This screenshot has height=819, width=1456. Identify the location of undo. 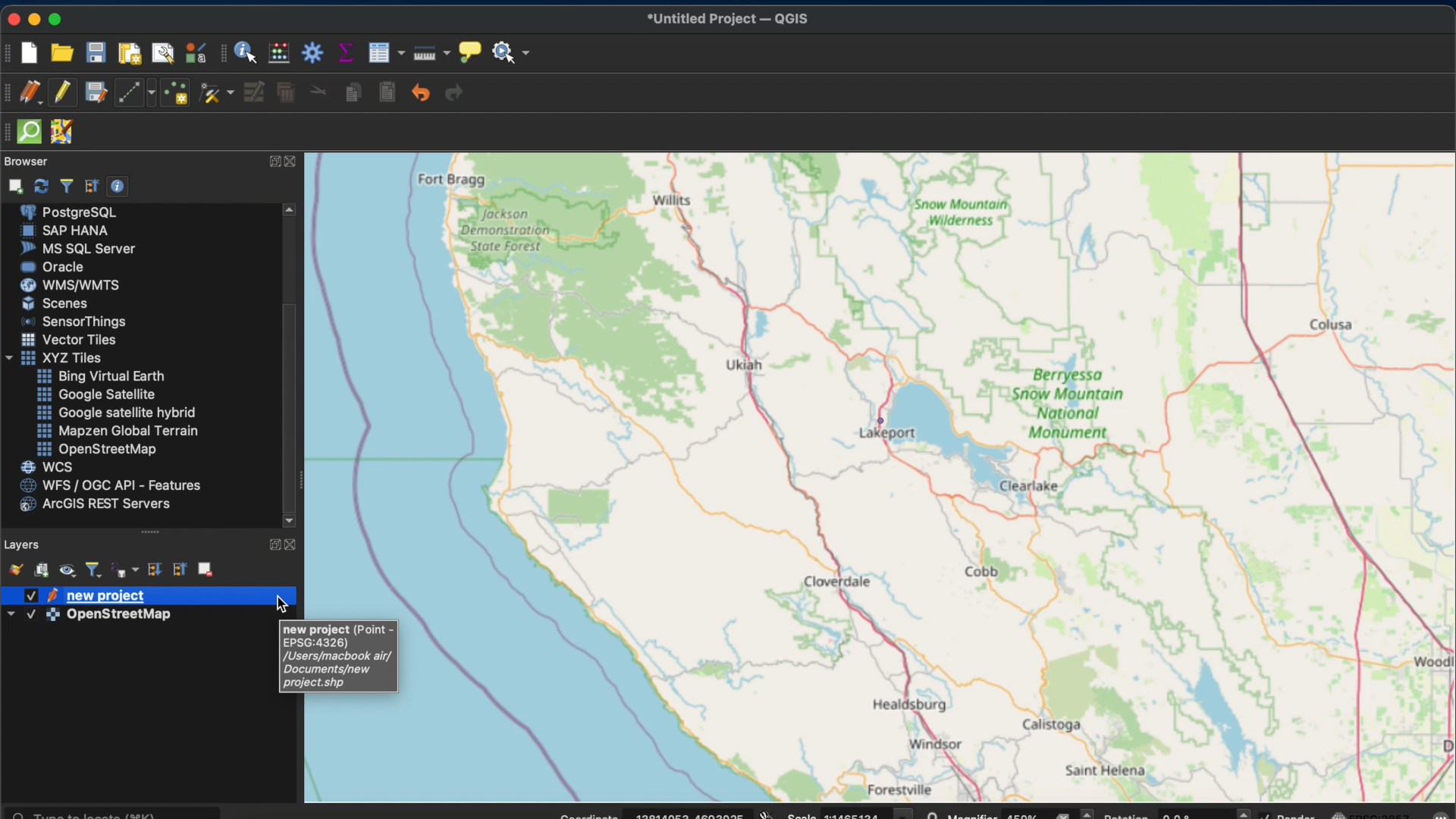
(422, 93).